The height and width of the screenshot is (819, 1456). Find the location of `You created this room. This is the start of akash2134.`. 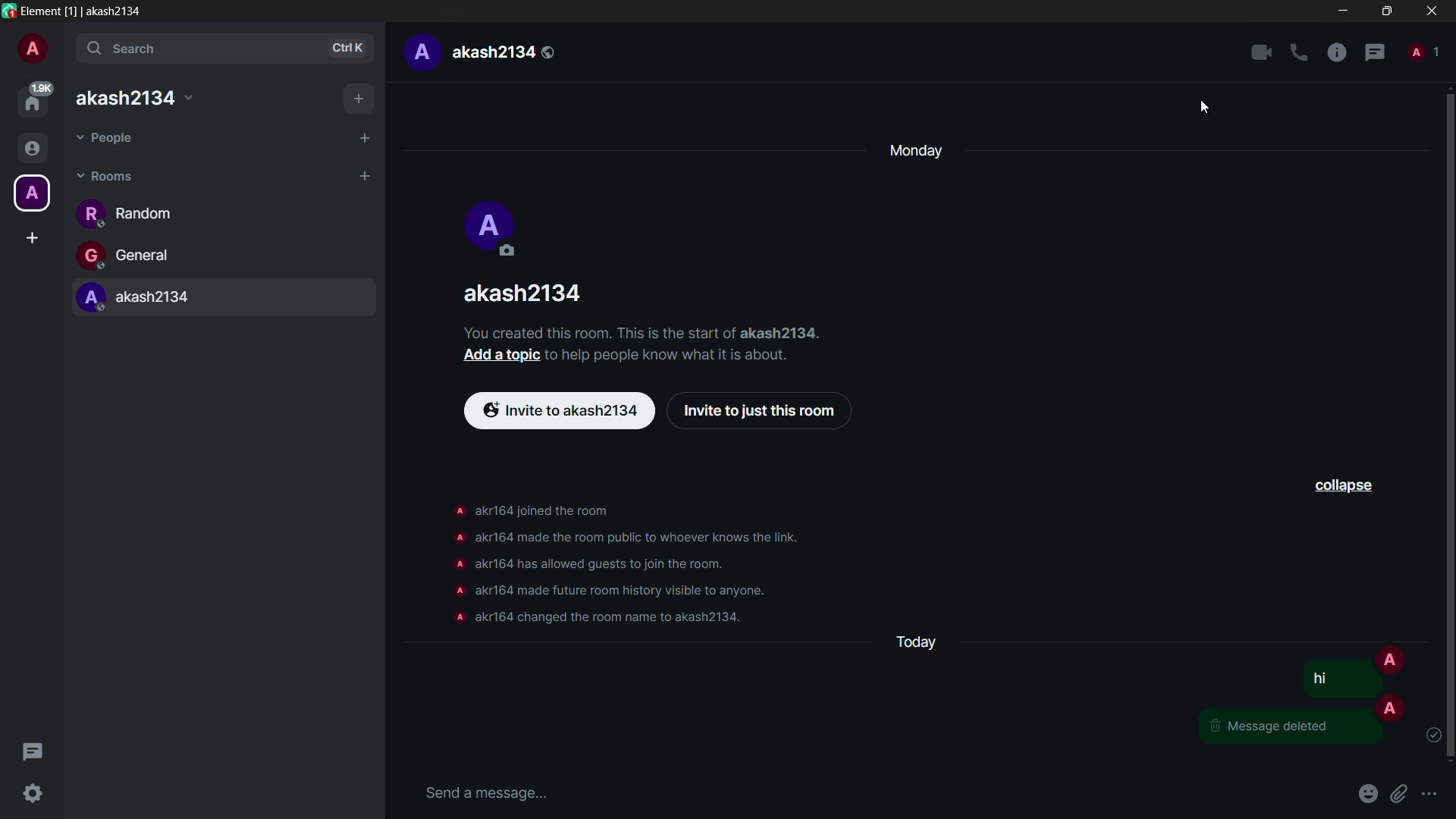

You created this room. This is the start of akash2134. is located at coordinates (655, 332).